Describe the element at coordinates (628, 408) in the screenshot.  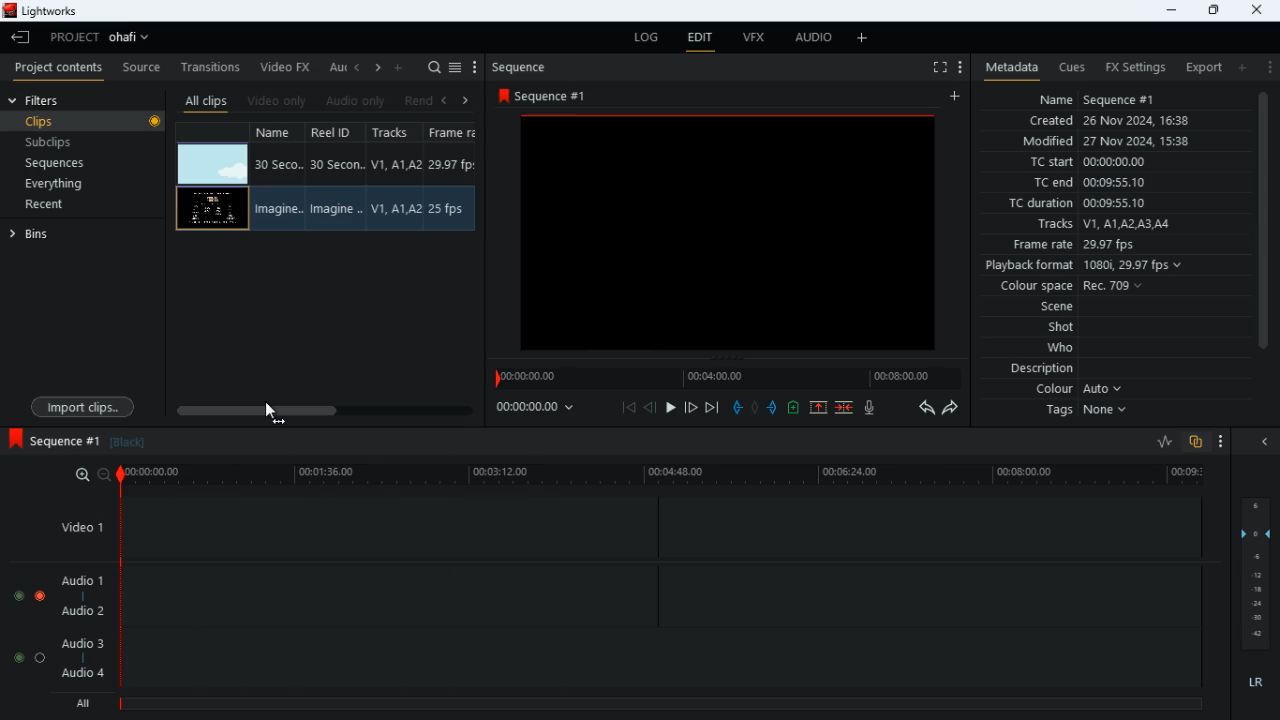
I see `beggining` at that location.